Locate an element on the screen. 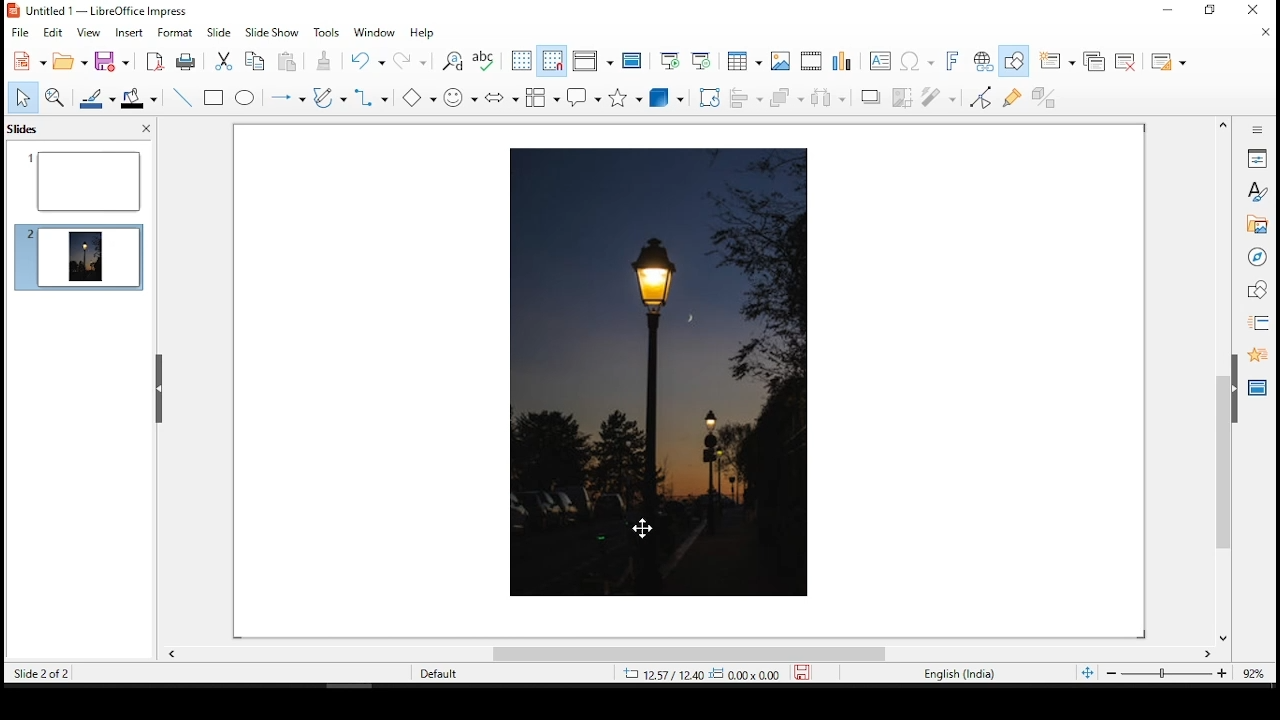  arrange is located at coordinates (787, 100).